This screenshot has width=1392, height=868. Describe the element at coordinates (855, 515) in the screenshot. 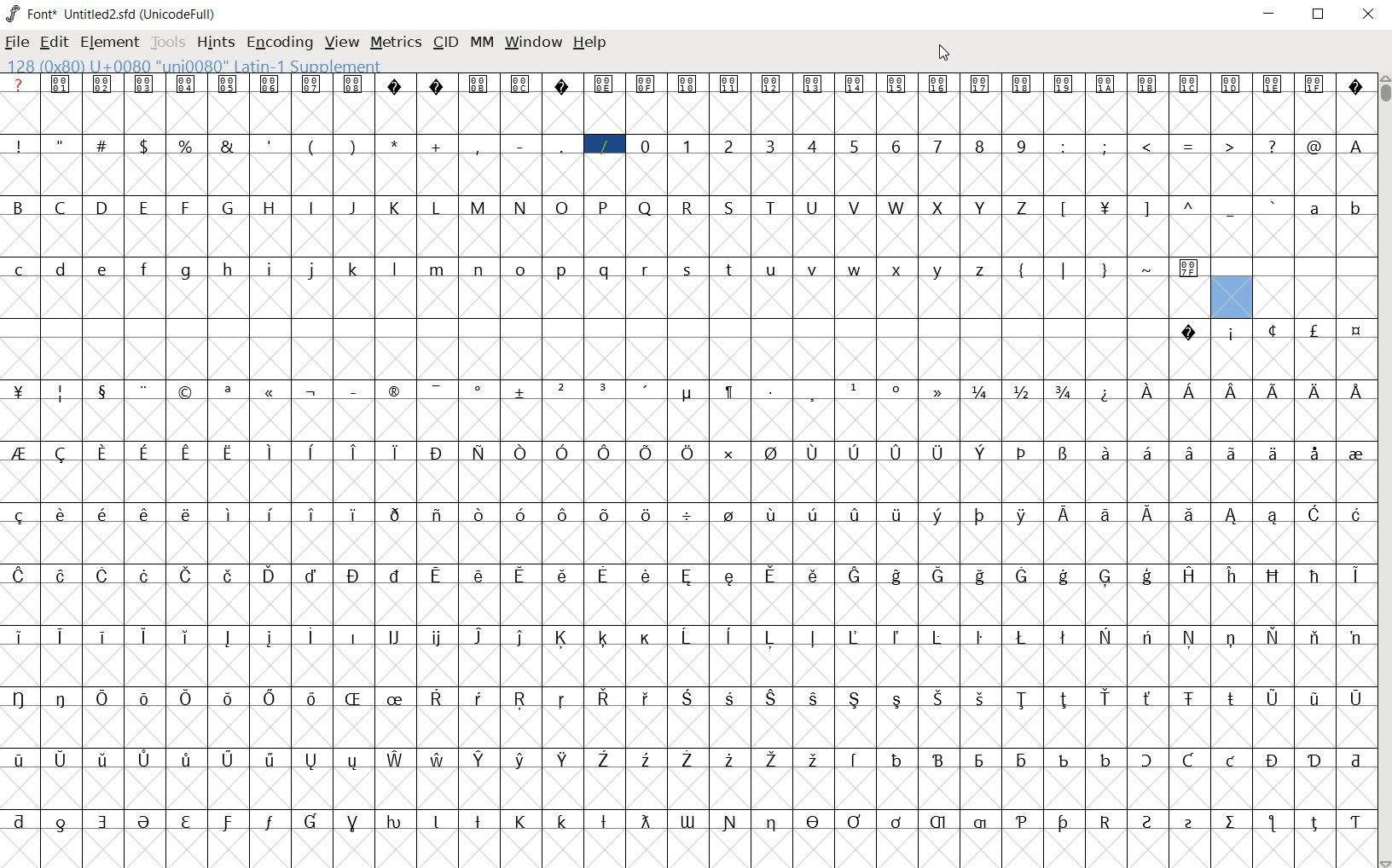

I see `glyph` at that location.